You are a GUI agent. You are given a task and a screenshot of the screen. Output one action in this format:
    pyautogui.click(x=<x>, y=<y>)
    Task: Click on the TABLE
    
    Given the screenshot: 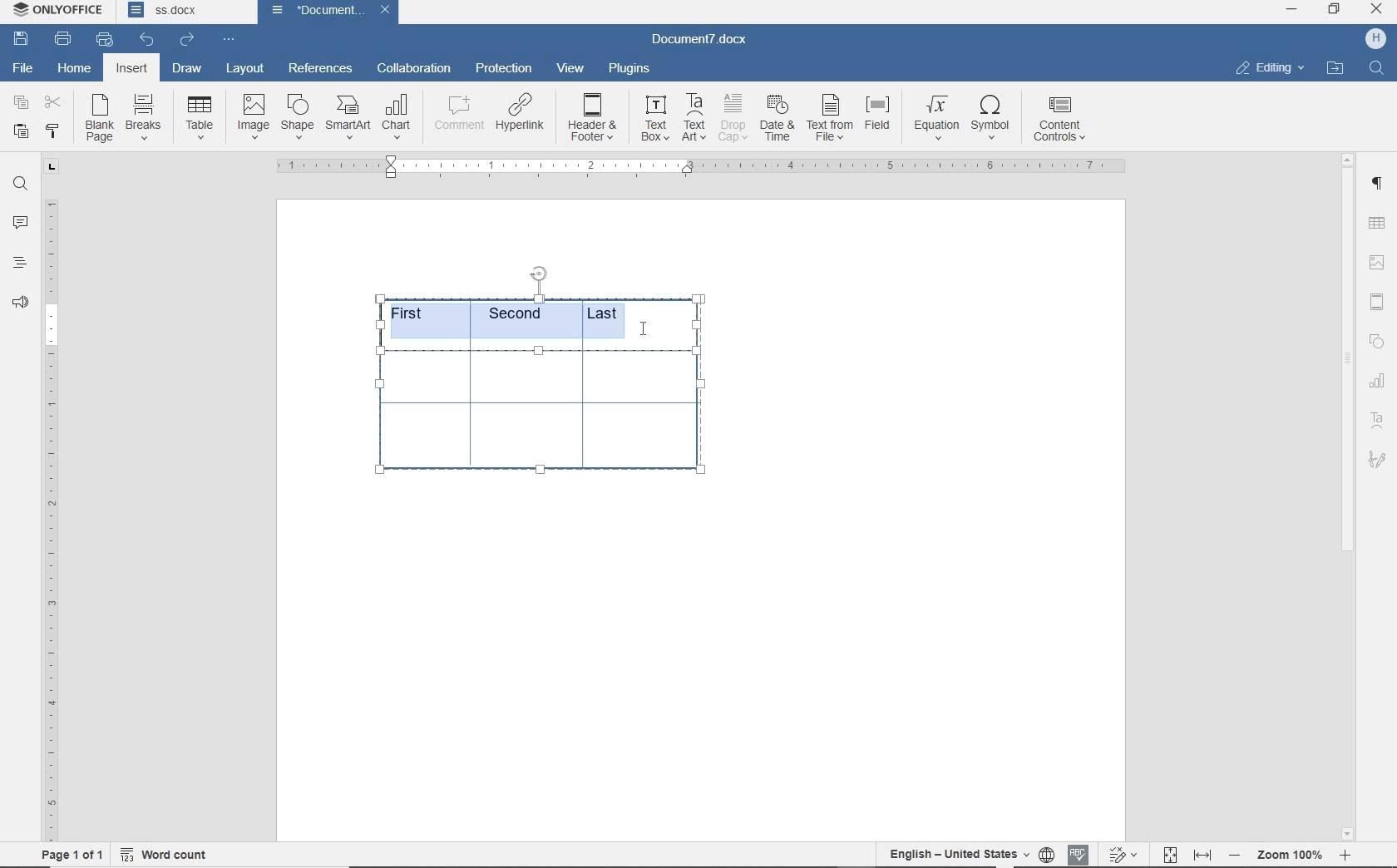 What is the action you would take?
    pyautogui.click(x=1376, y=223)
    